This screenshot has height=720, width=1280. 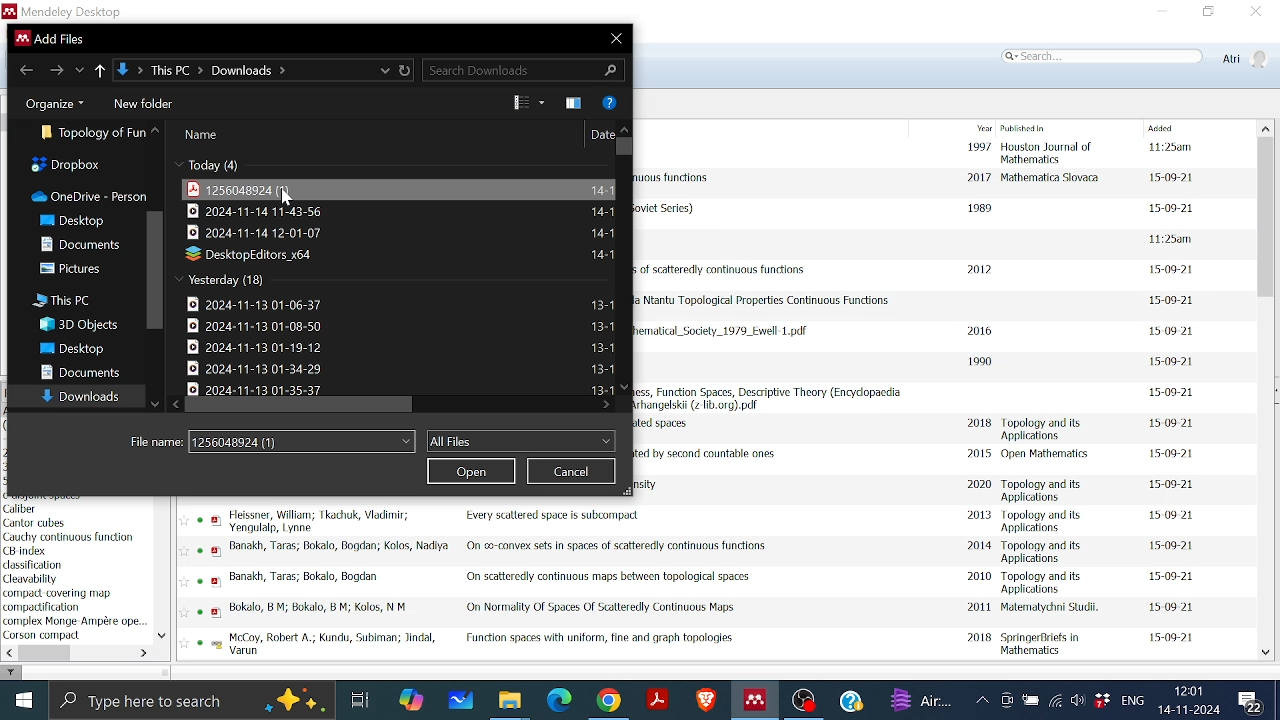 What do you see at coordinates (304, 577) in the screenshot?
I see `Author` at bounding box center [304, 577].